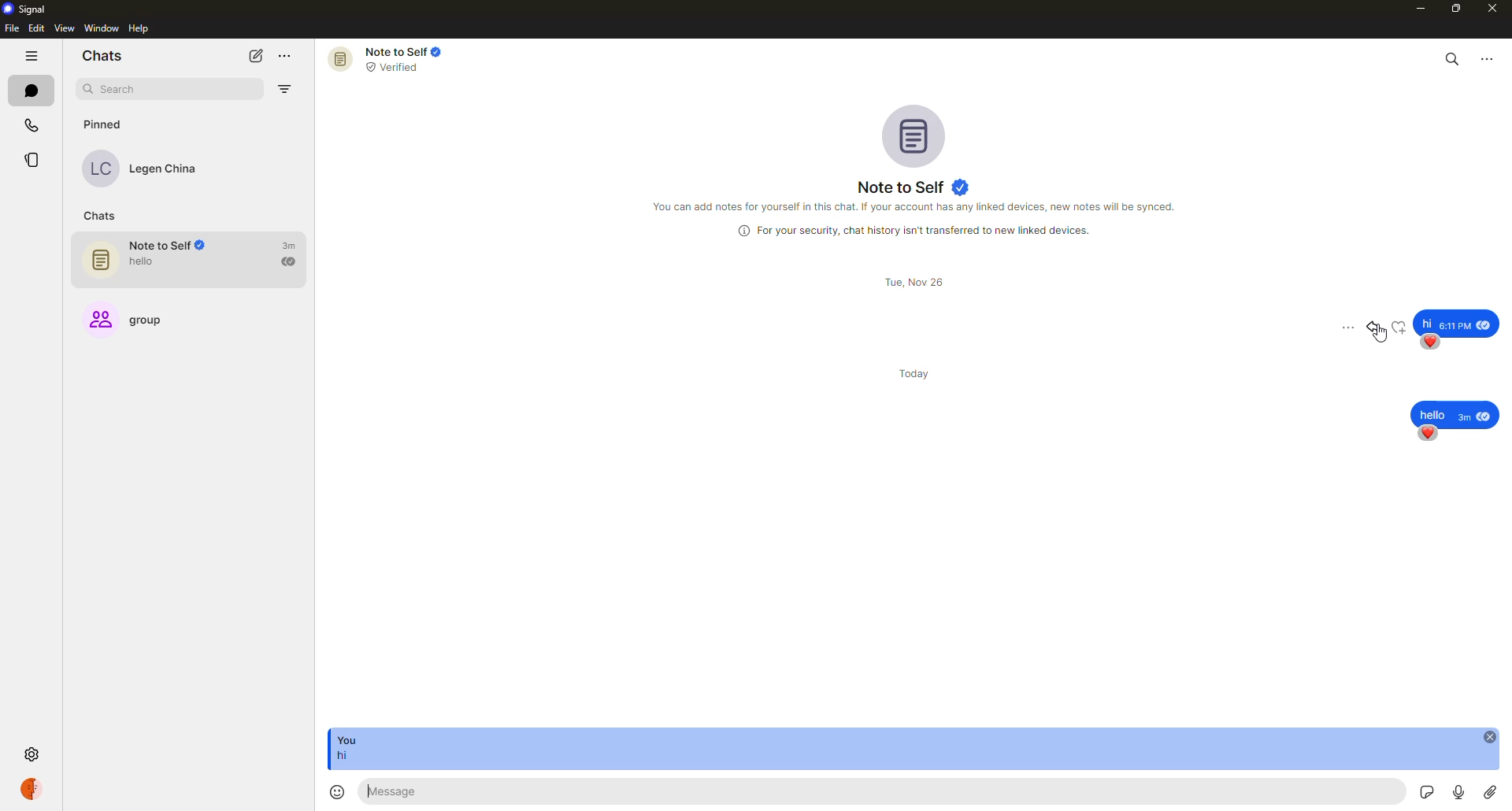 The width and height of the screenshot is (1512, 811). I want to click on cursor, so click(1384, 339).